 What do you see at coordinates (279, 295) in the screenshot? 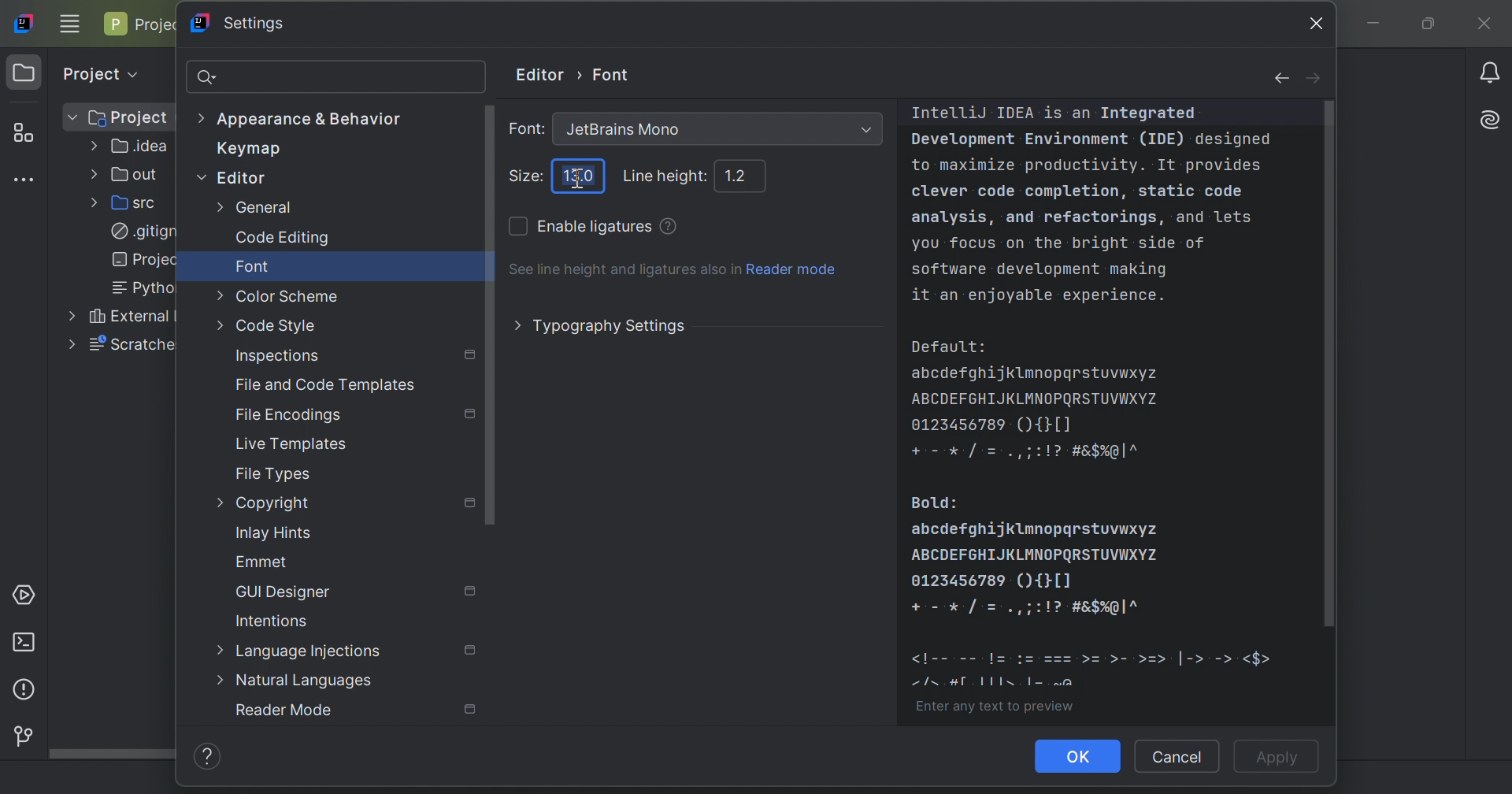
I see `Color scheme` at bounding box center [279, 295].